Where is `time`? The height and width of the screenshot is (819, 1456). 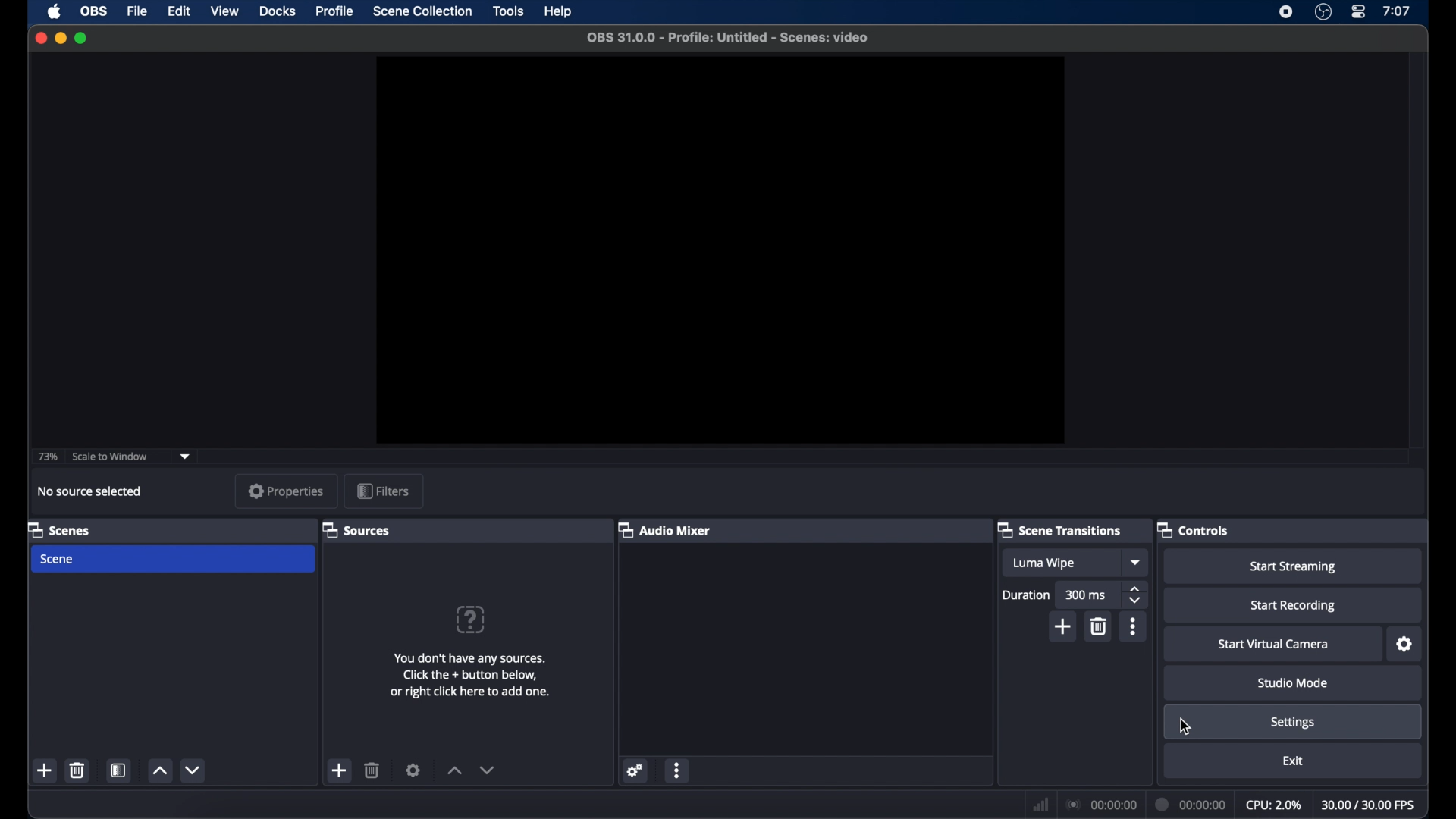 time is located at coordinates (1397, 11).